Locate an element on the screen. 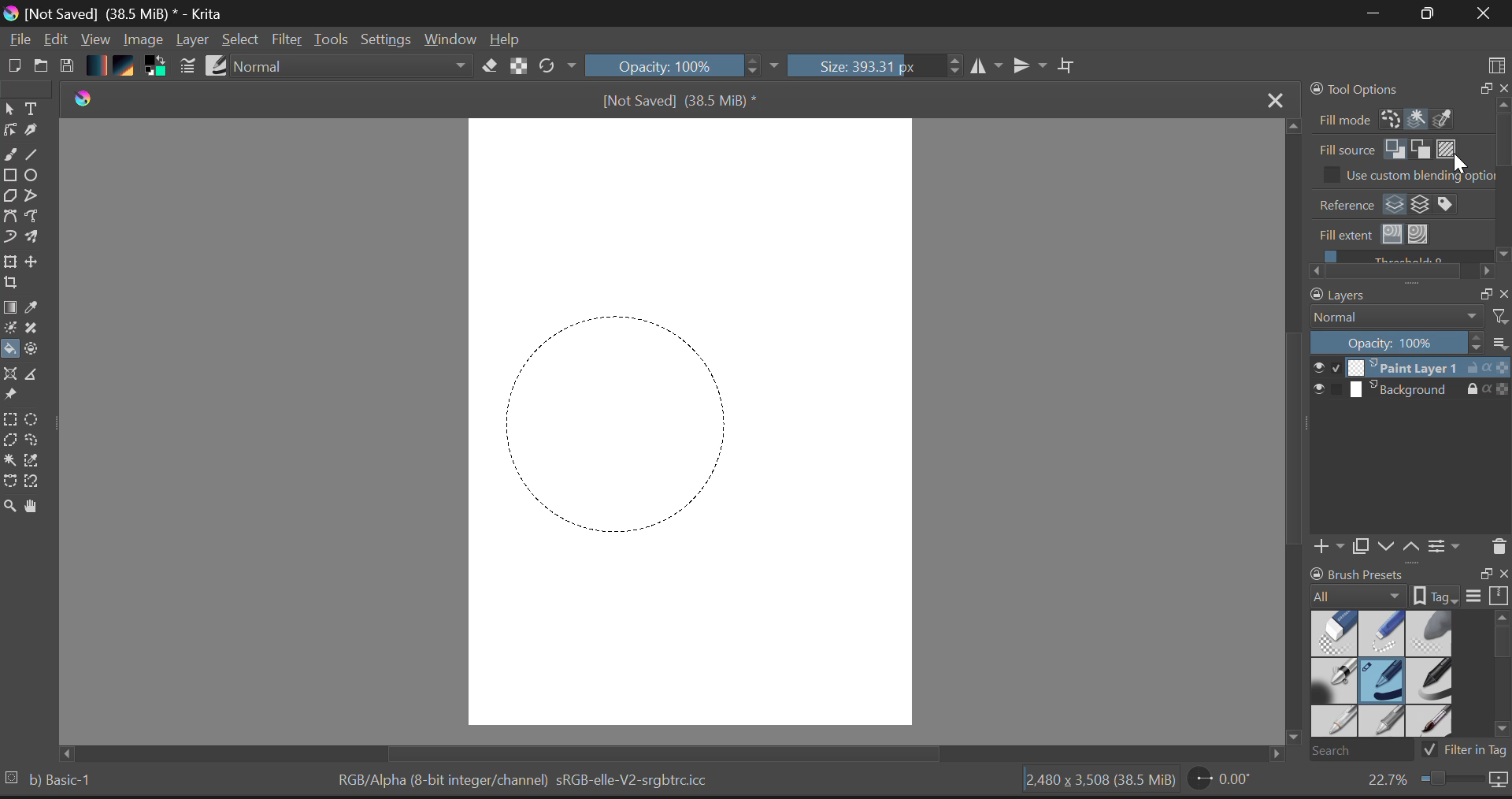  Filter is located at coordinates (287, 40).